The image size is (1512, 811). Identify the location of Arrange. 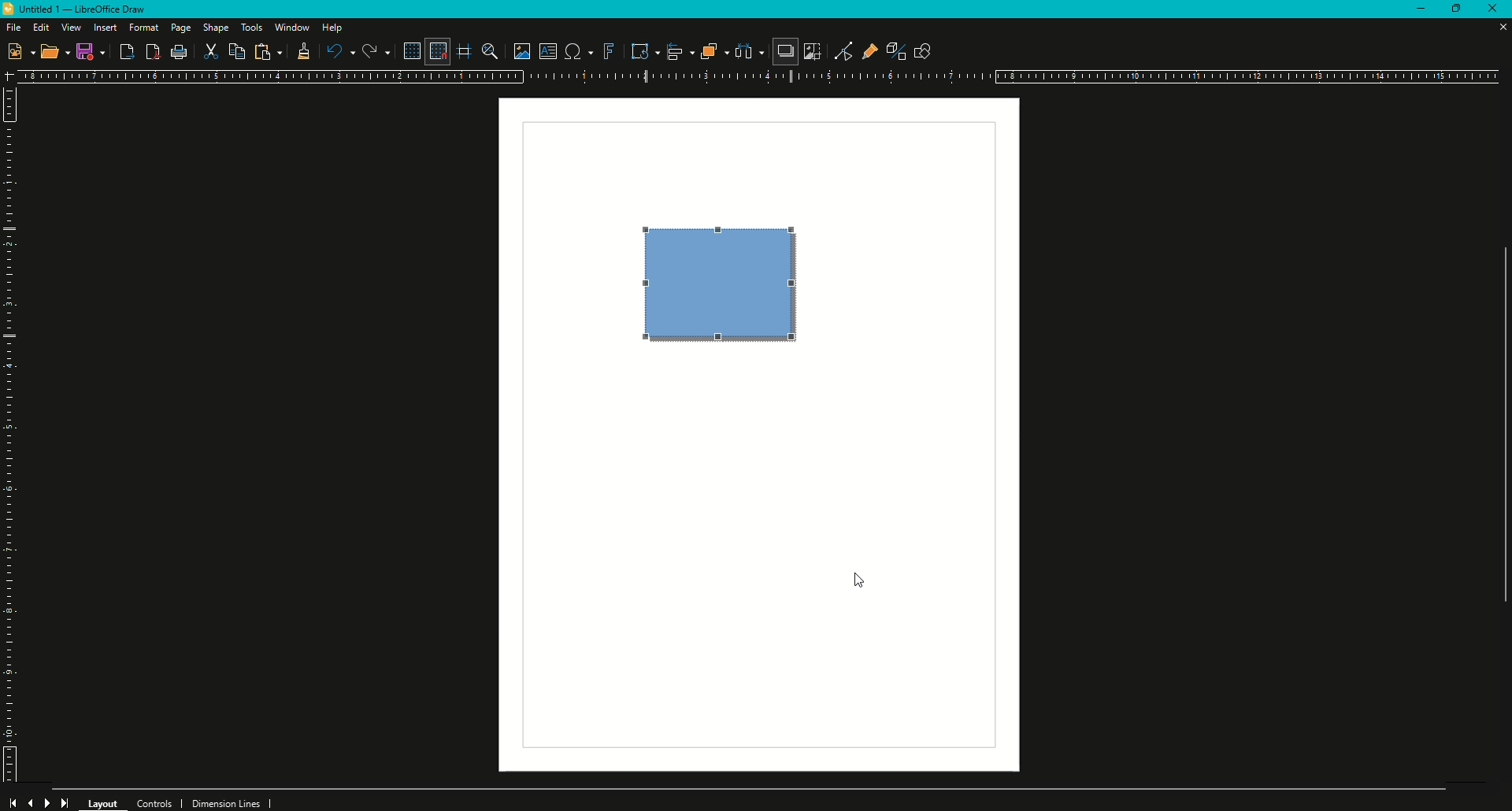
(709, 51).